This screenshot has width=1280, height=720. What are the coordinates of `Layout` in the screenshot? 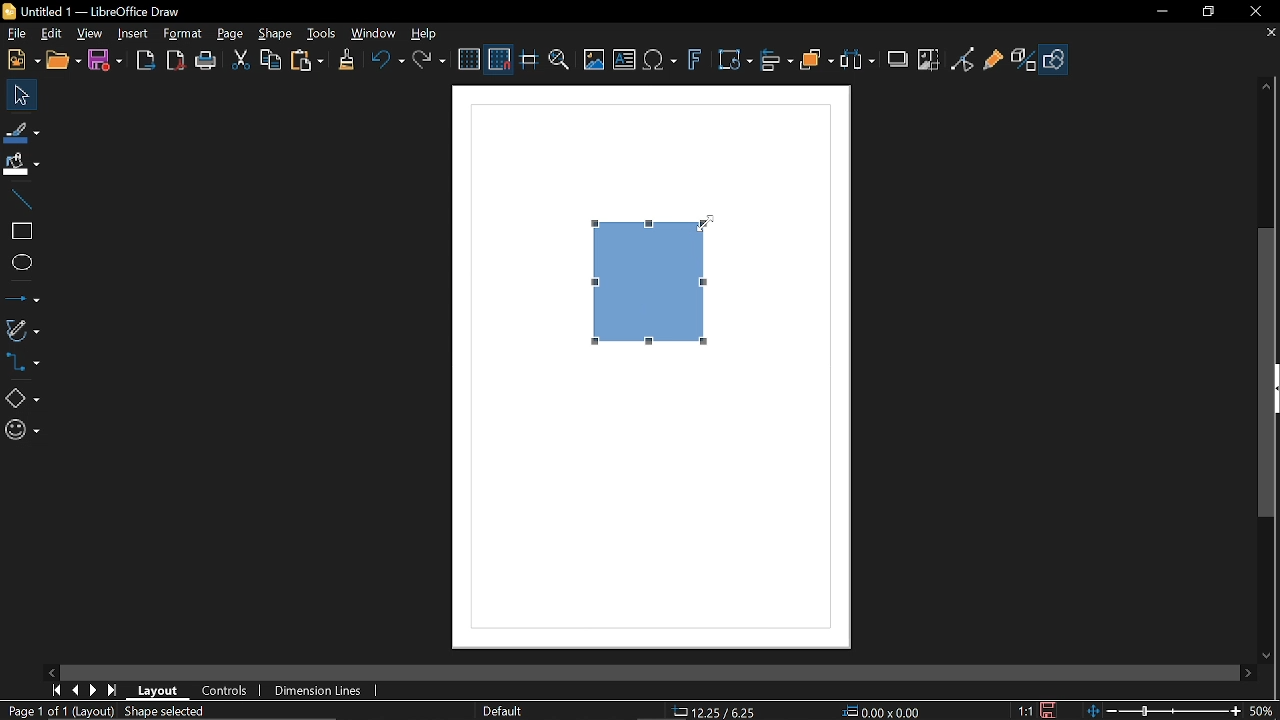 It's located at (157, 691).